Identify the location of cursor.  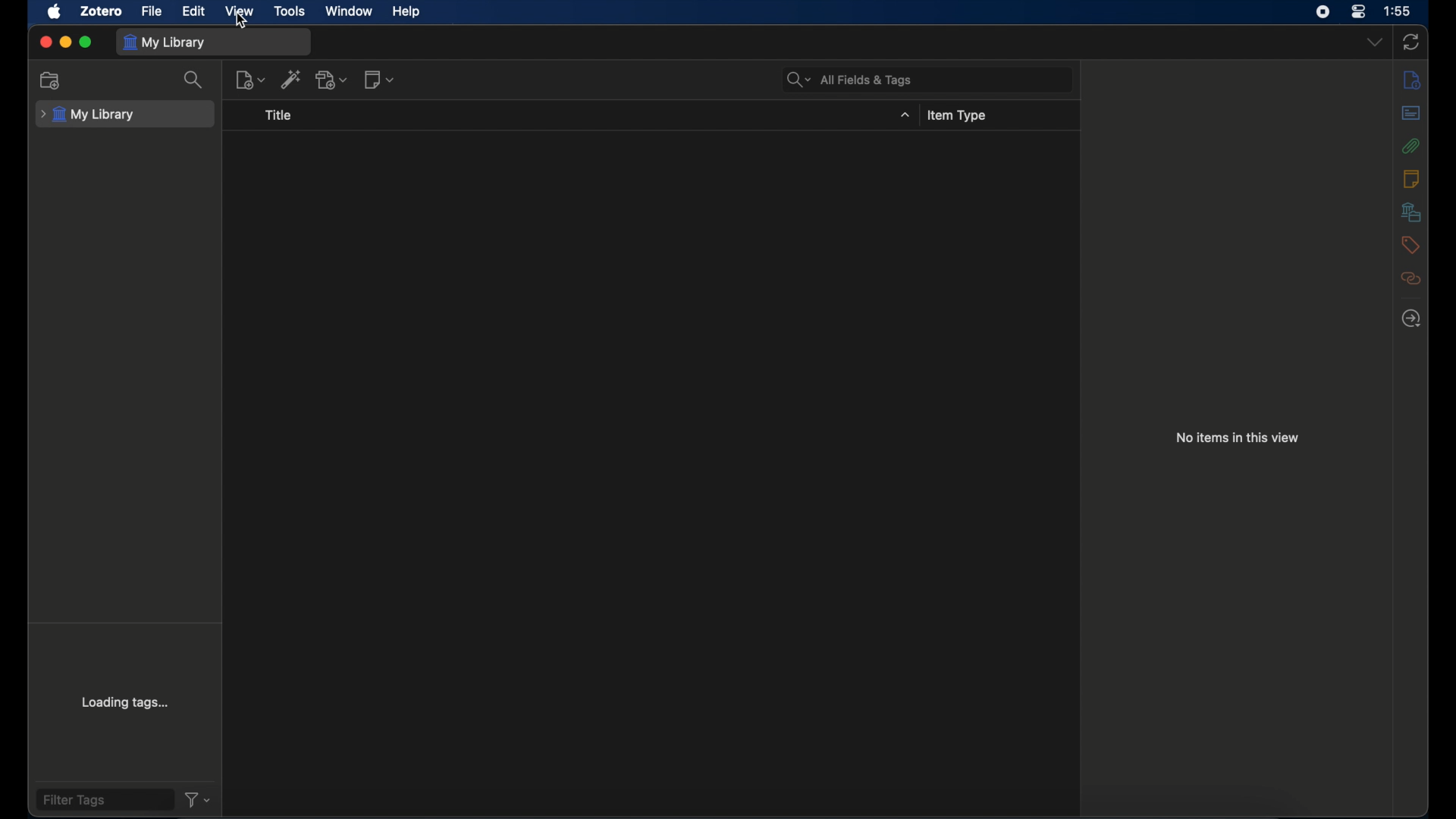
(243, 21).